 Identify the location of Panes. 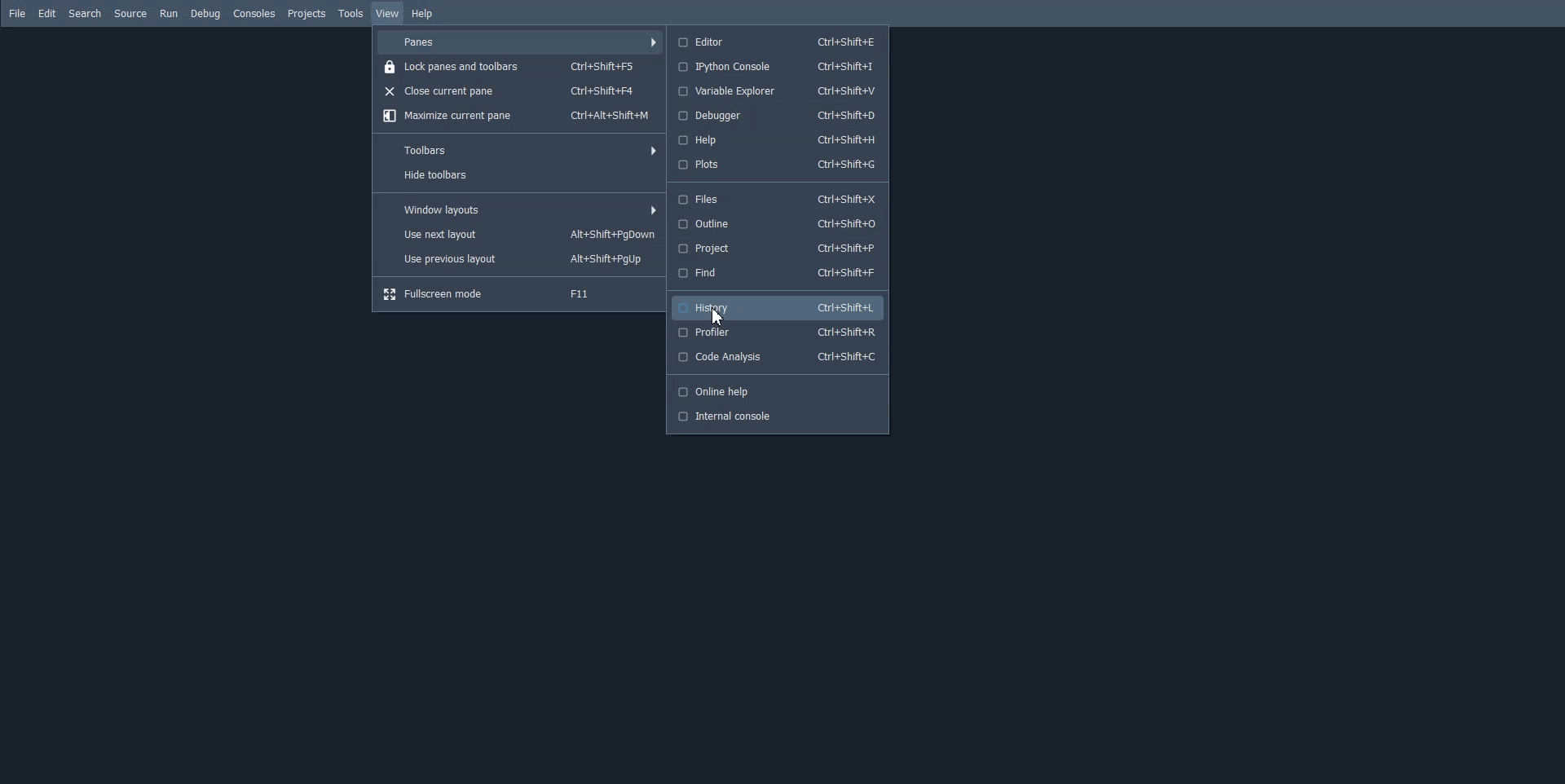
(520, 42).